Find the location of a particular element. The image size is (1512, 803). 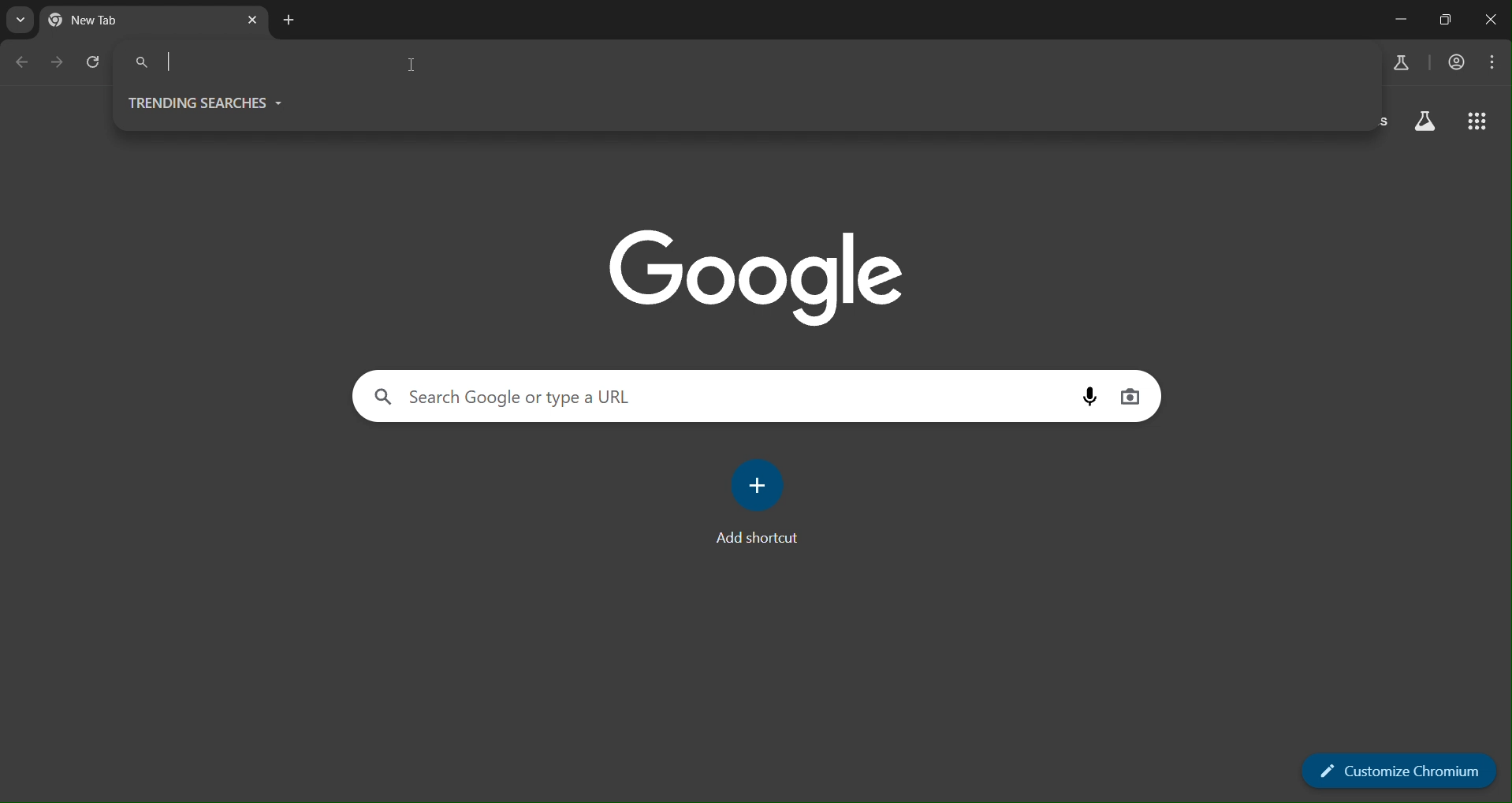

search labs is located at coordinates (1404, 62).